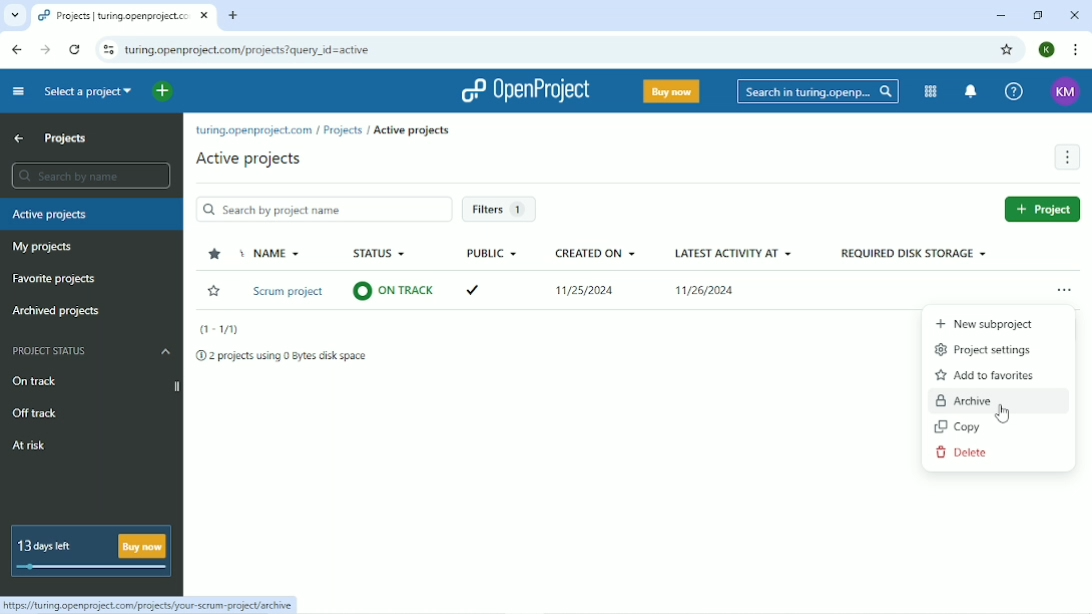 This screenshot has height=614, width=1092. What do you see at coordinates (66, 138) in the screenshot?
I see `Projects` at bounding box center [66, 138].